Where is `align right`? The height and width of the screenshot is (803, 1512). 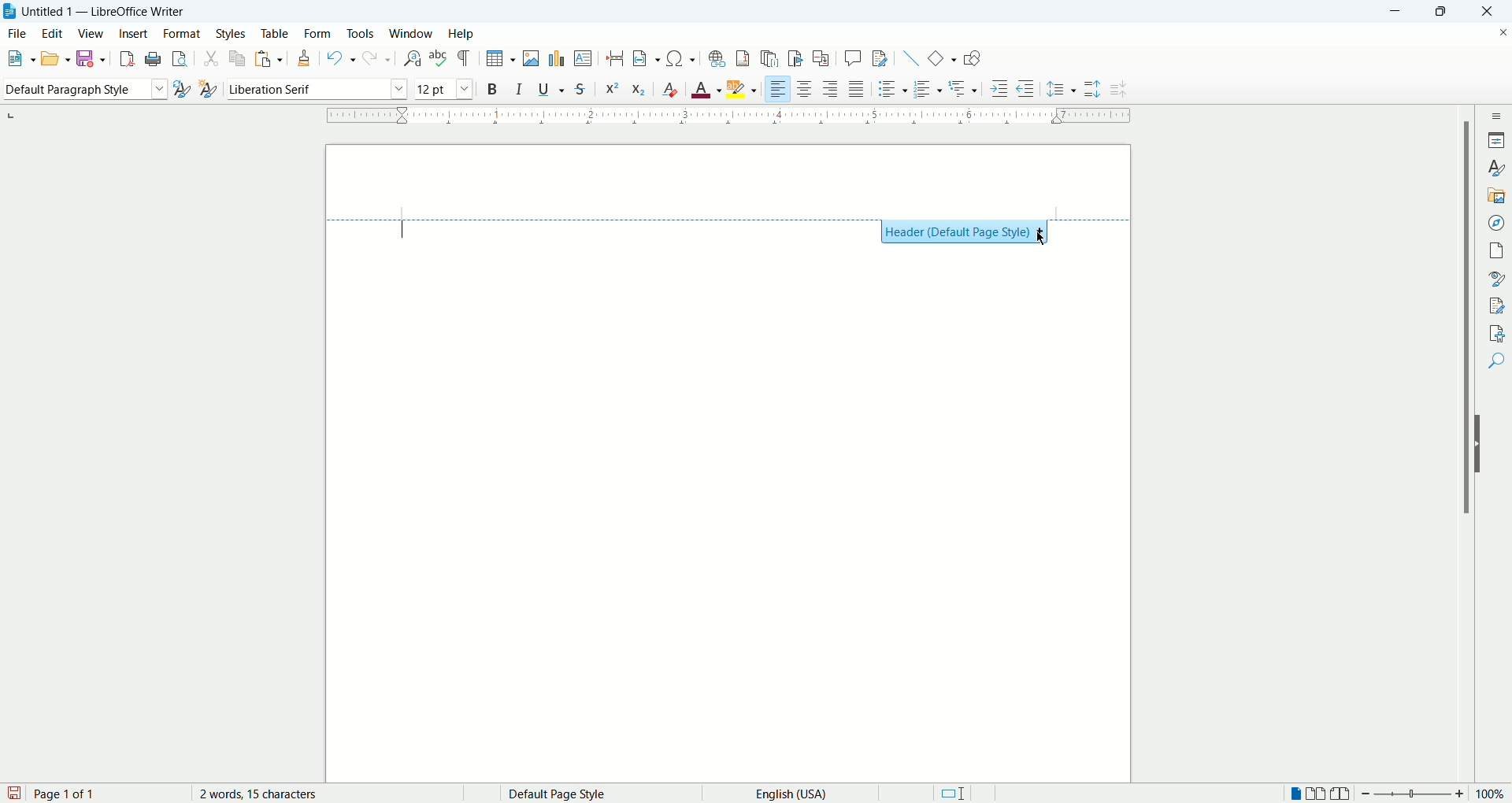
align right is located at coordinates (830, 90).